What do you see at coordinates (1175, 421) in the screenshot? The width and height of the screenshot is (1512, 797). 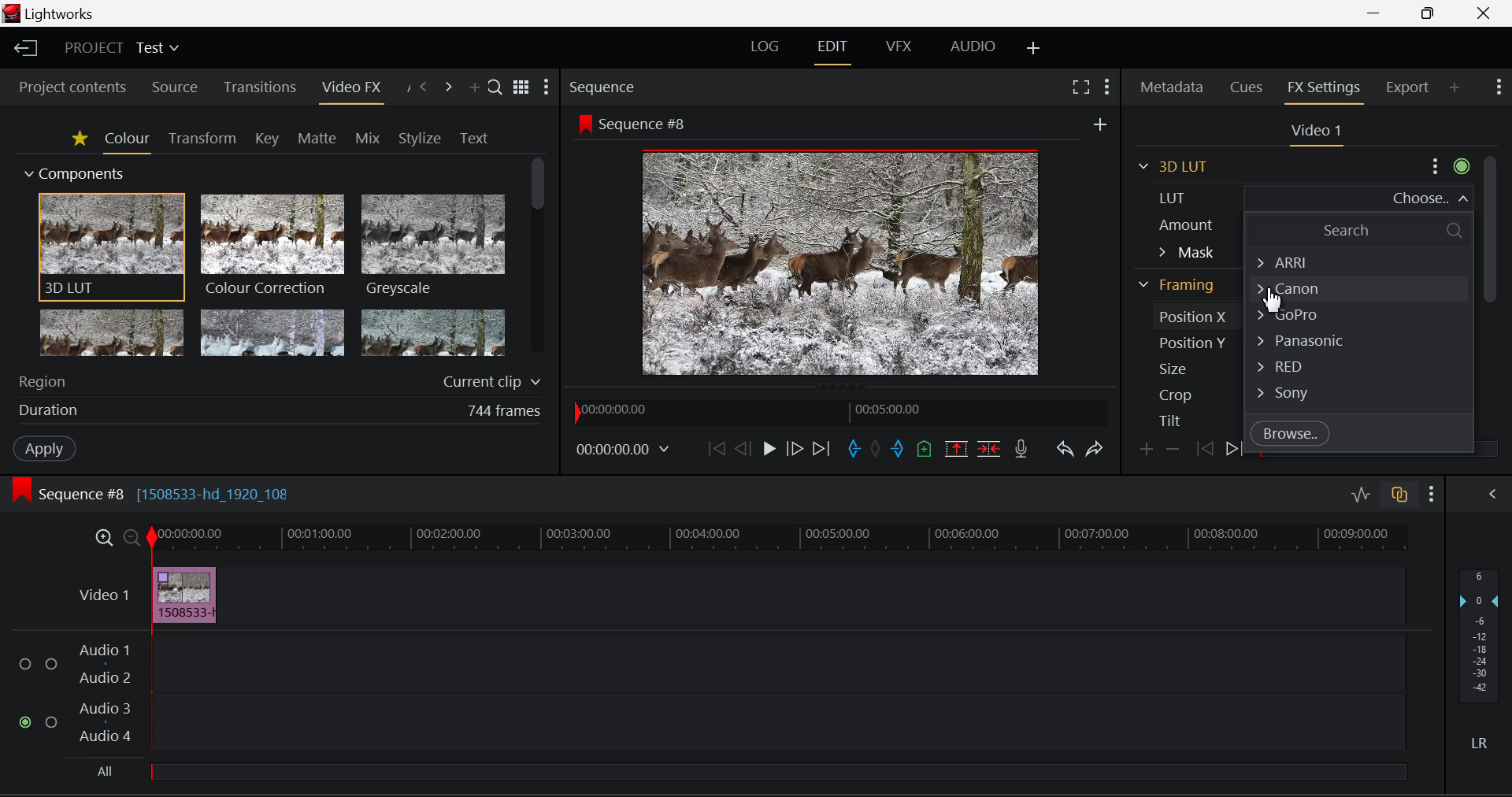 I see `Tilt` at bounding box center [1175, 421].